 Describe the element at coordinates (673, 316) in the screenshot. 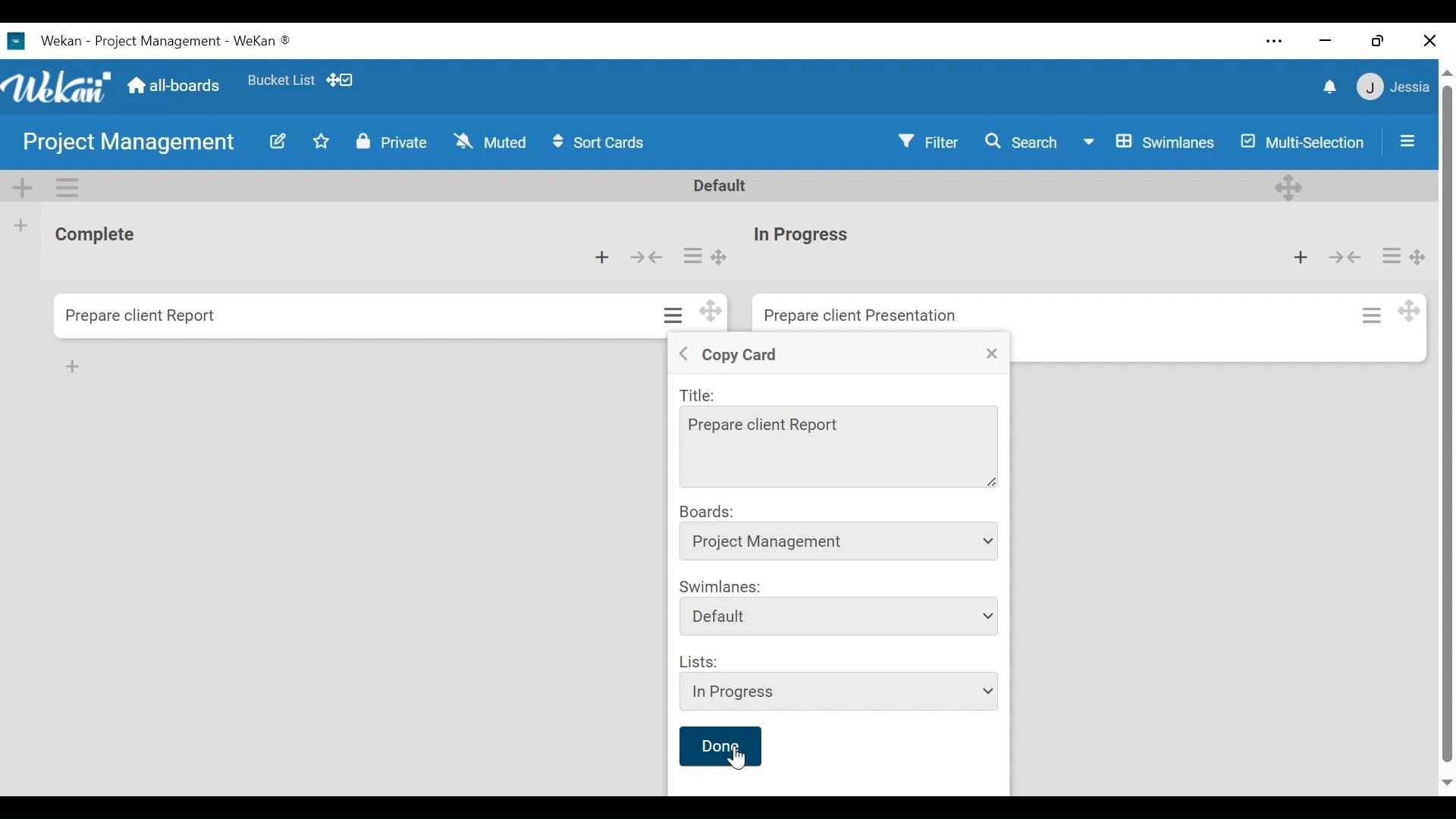

I see `Card actions` at that location.